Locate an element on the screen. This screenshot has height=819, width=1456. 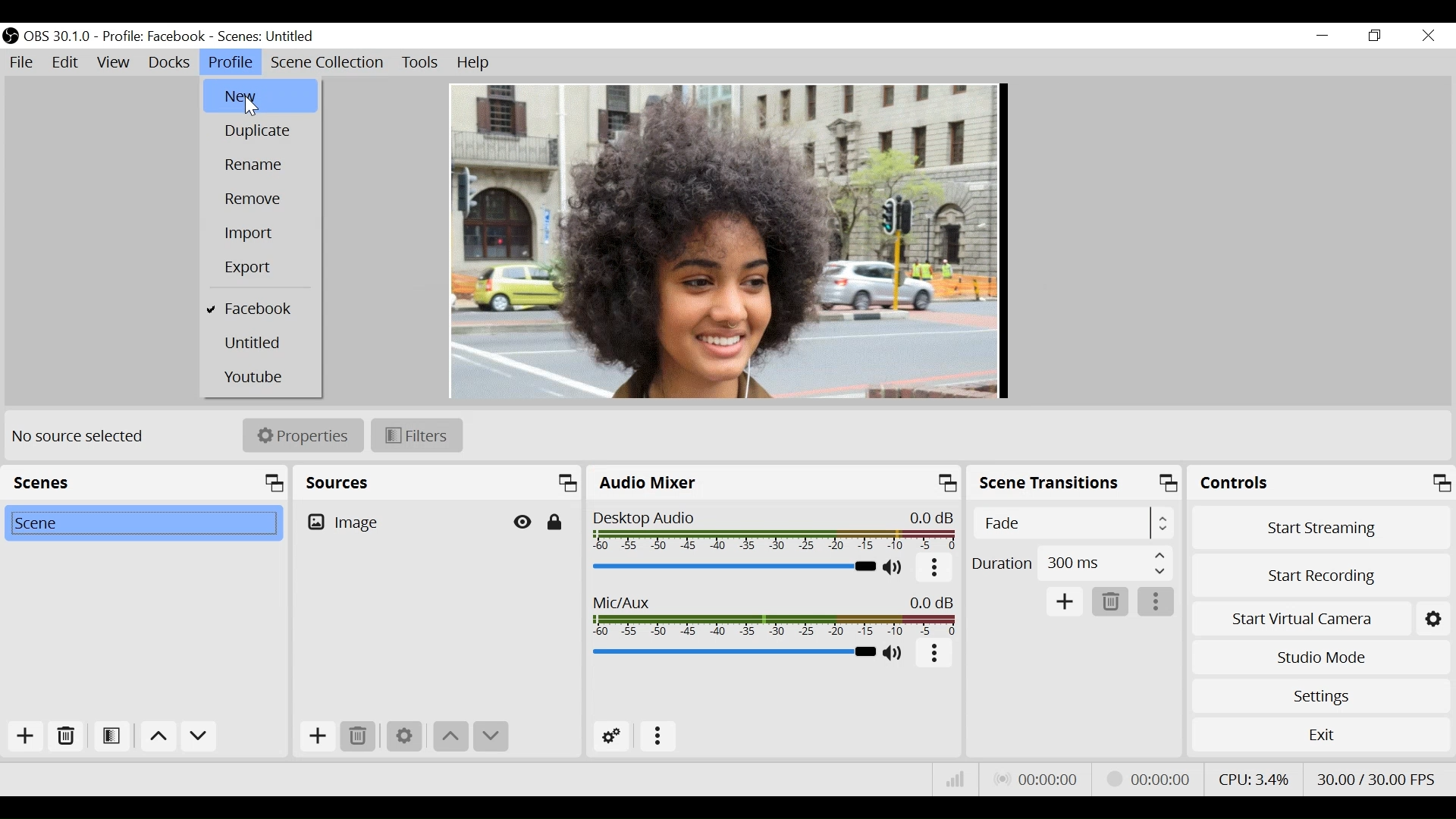
Rename is located at coordinates (262, 167).